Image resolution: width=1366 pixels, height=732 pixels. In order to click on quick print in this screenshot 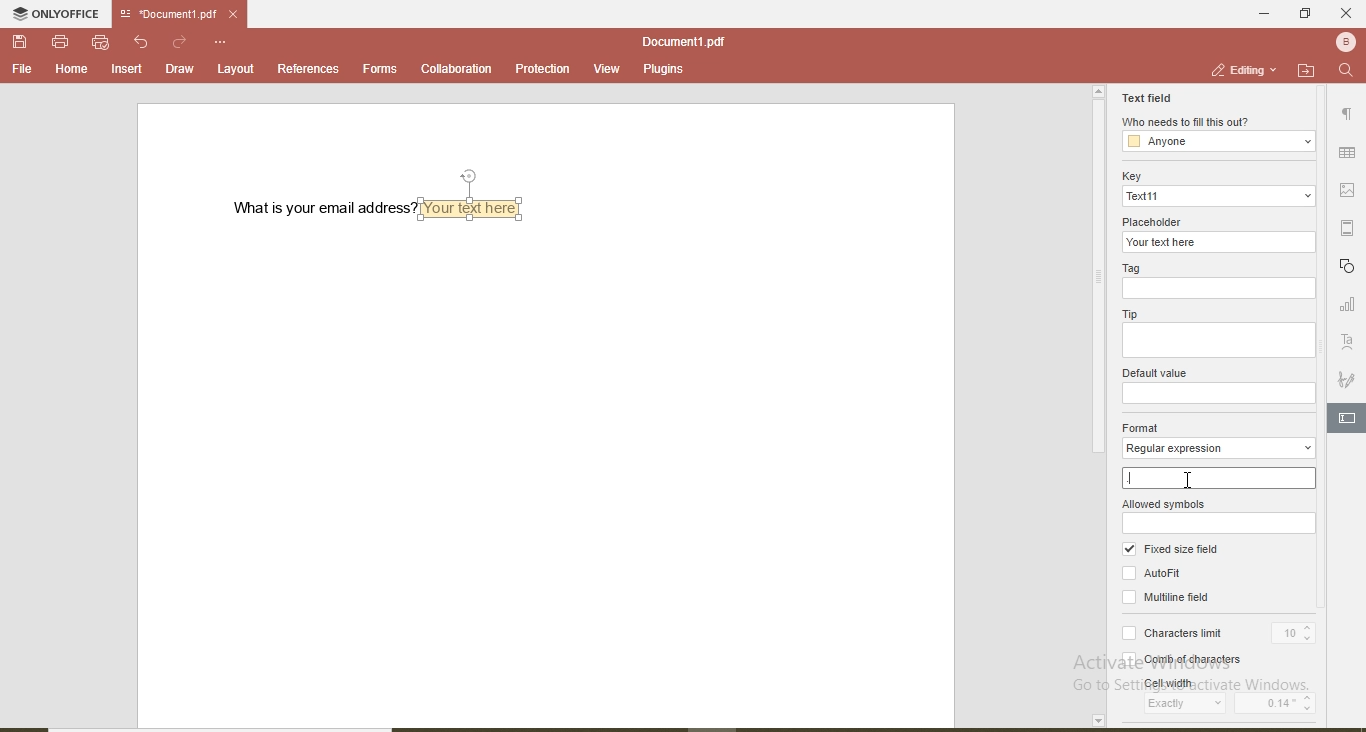, I will do `click(101, 42)`.